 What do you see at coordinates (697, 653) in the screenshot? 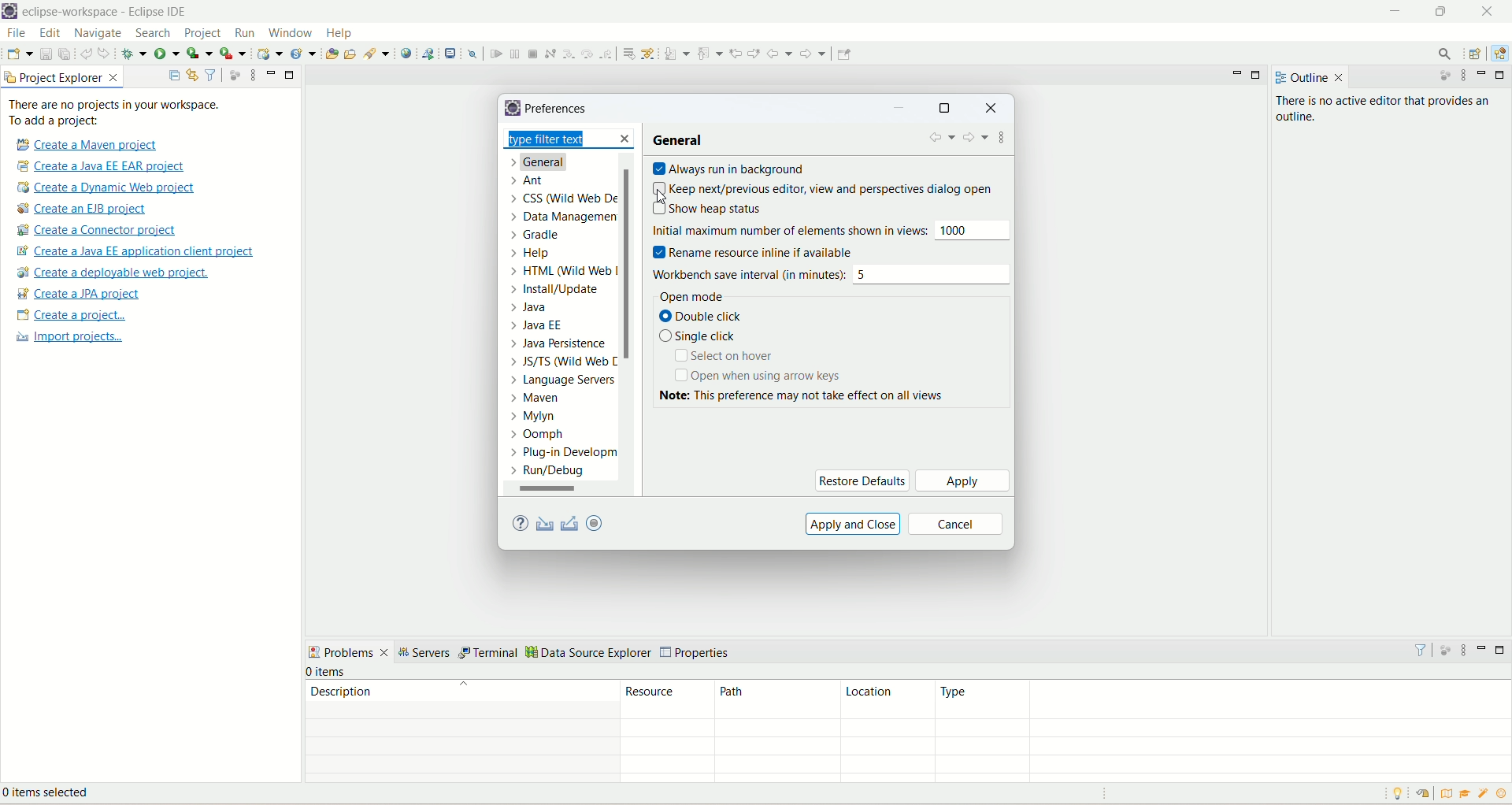
I see `properties` at bounding box center [697, 653].